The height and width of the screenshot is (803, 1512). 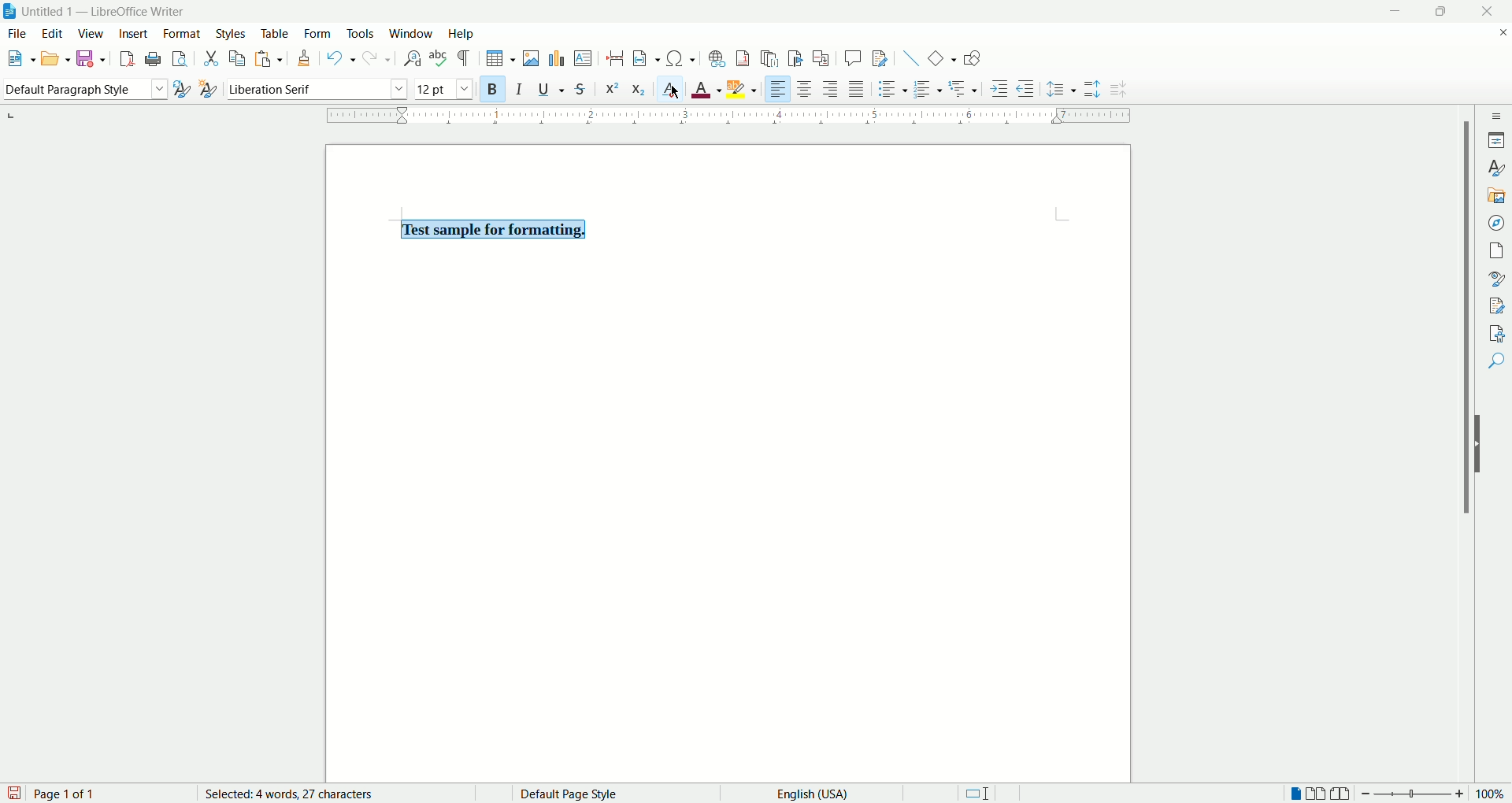 What do you see at coordinates (180, 58) in the screenshot?
I see `print preview` at bounding box center [180, 58].